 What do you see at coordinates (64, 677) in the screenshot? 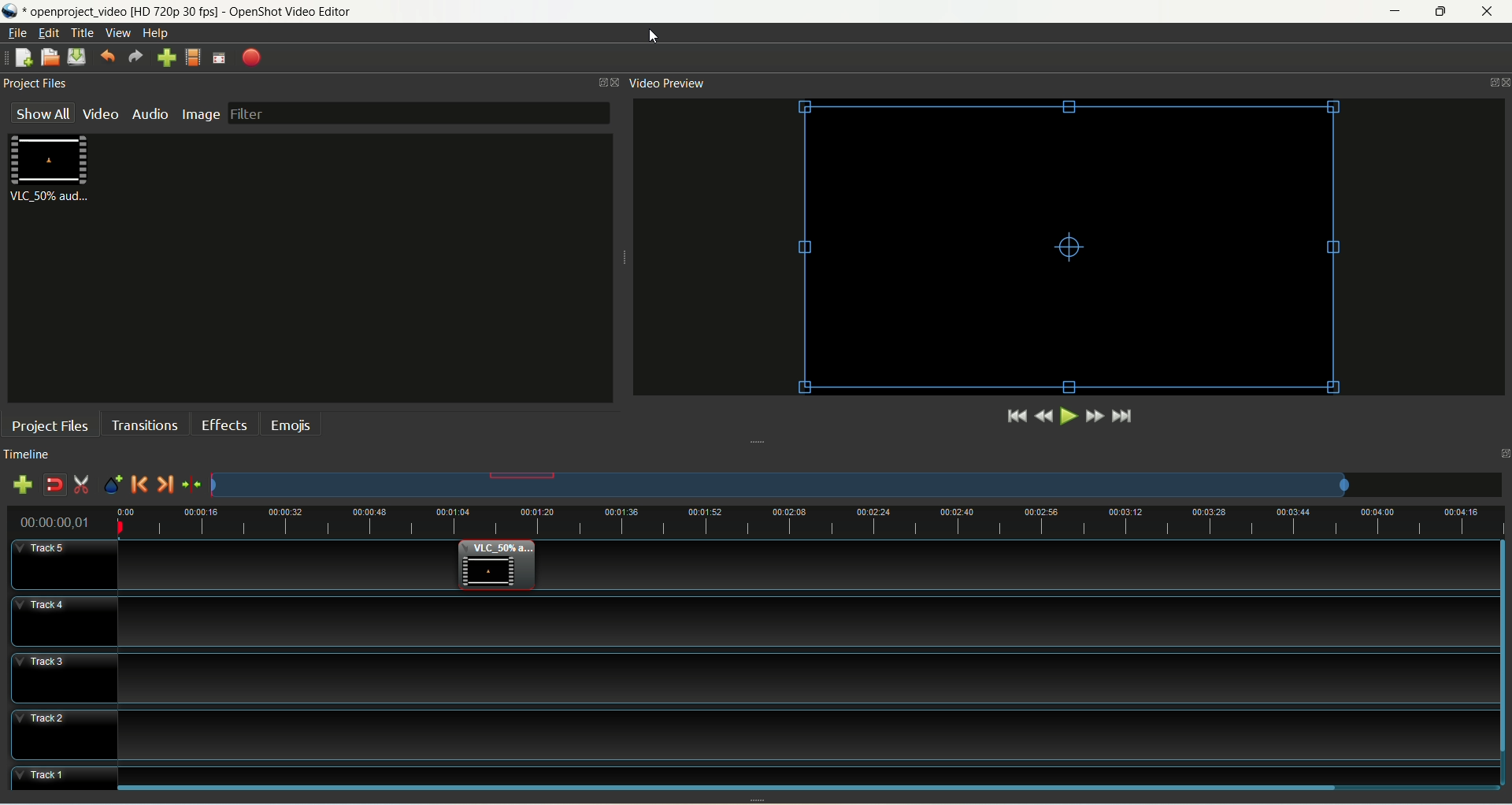
I see `track3` at bounding box center [64, 677].